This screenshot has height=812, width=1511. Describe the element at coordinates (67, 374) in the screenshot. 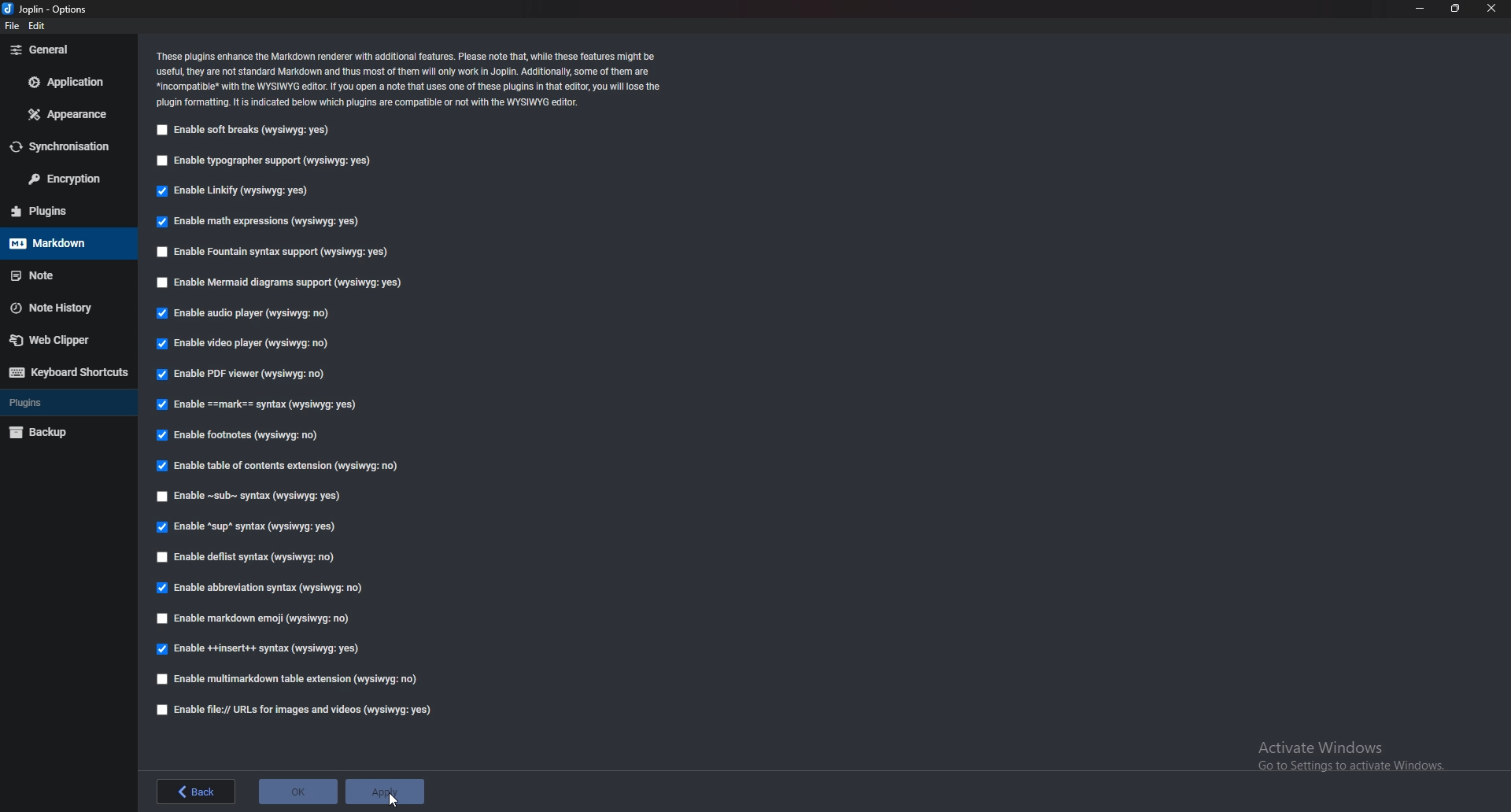

I see `Keyboard shortcuts` at that location.